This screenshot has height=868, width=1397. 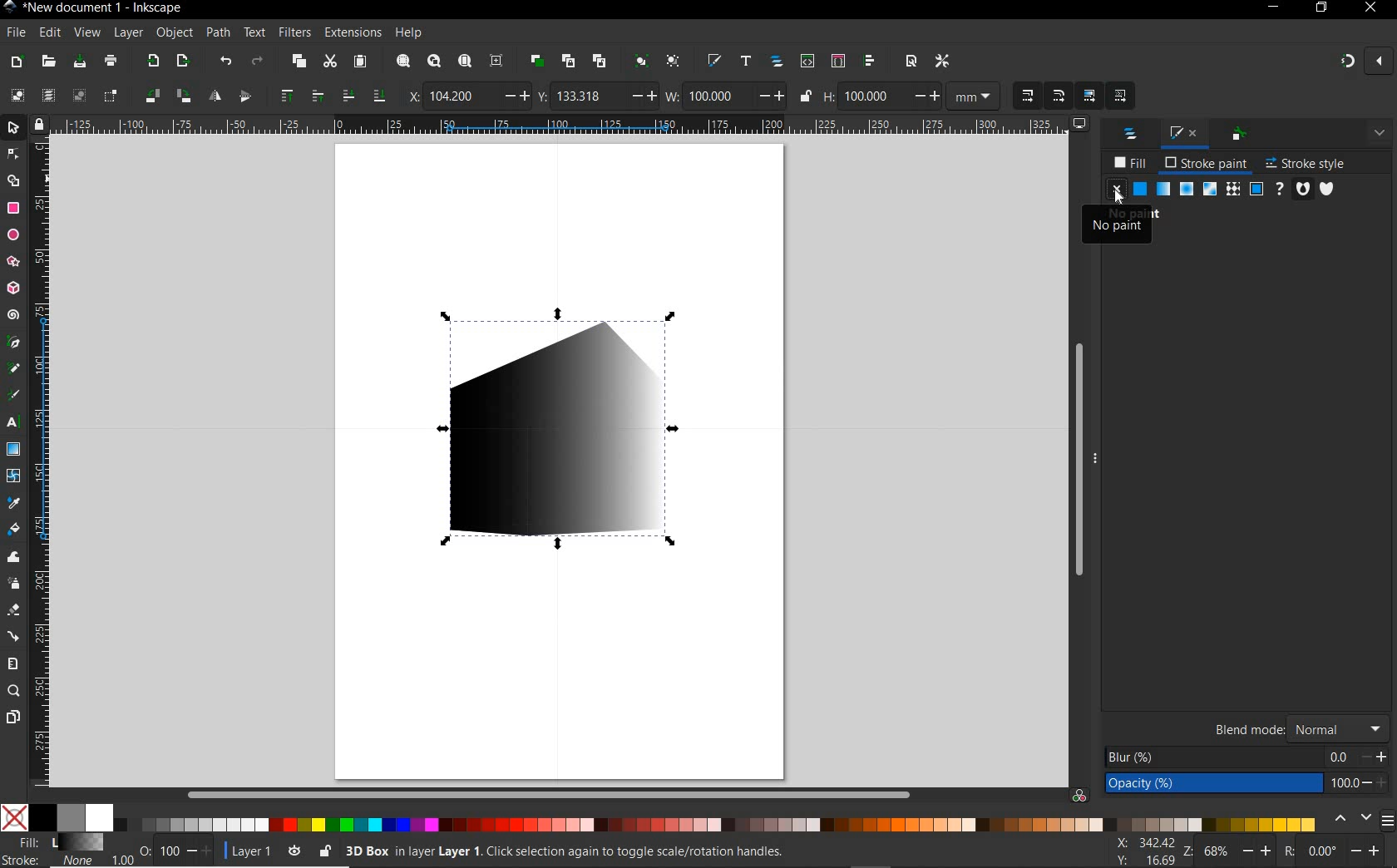 I want to click on STROKE STYLE, so click(x=1305, y=165).